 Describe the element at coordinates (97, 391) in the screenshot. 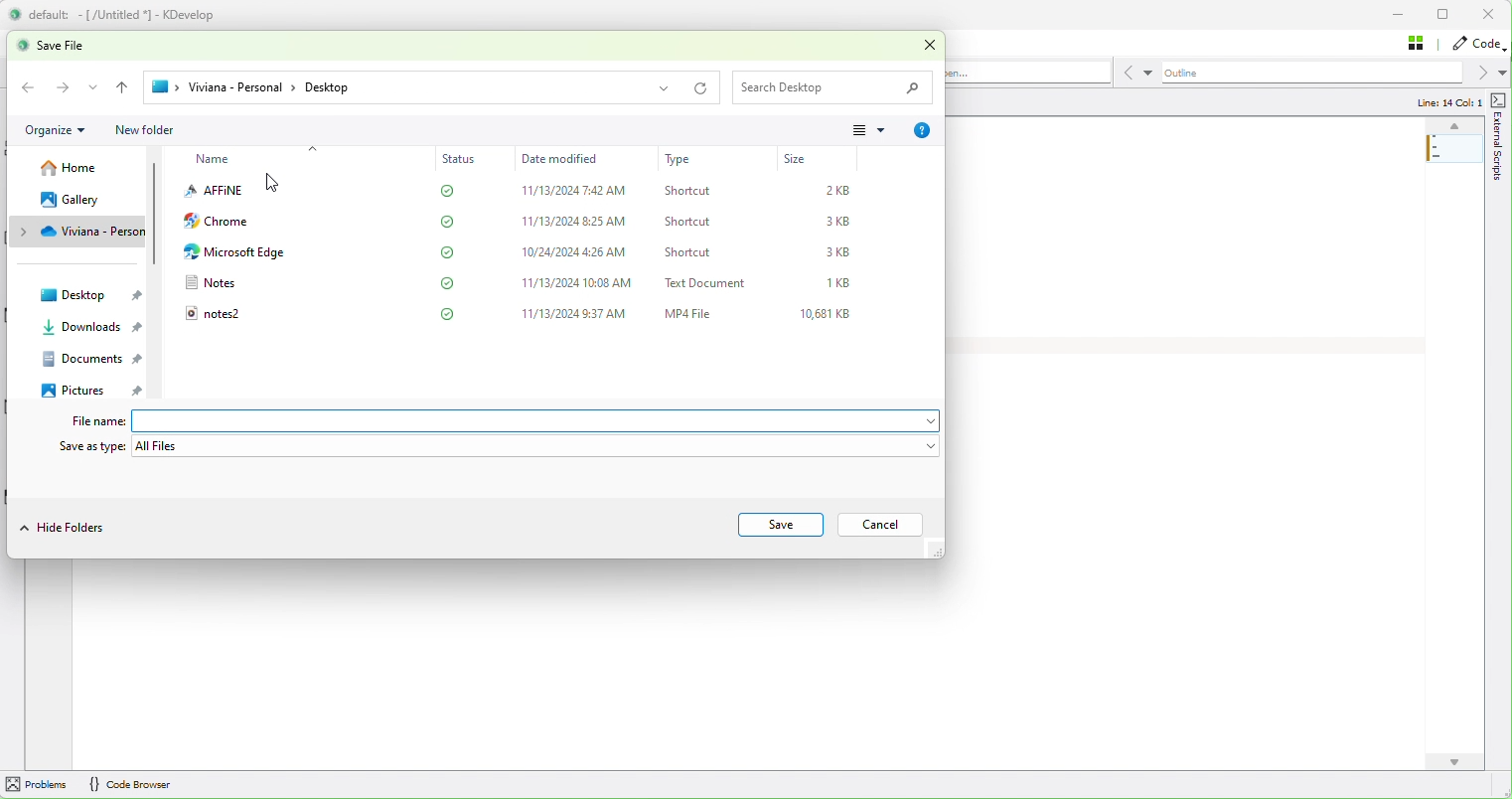

I see `Pictures` at that location.